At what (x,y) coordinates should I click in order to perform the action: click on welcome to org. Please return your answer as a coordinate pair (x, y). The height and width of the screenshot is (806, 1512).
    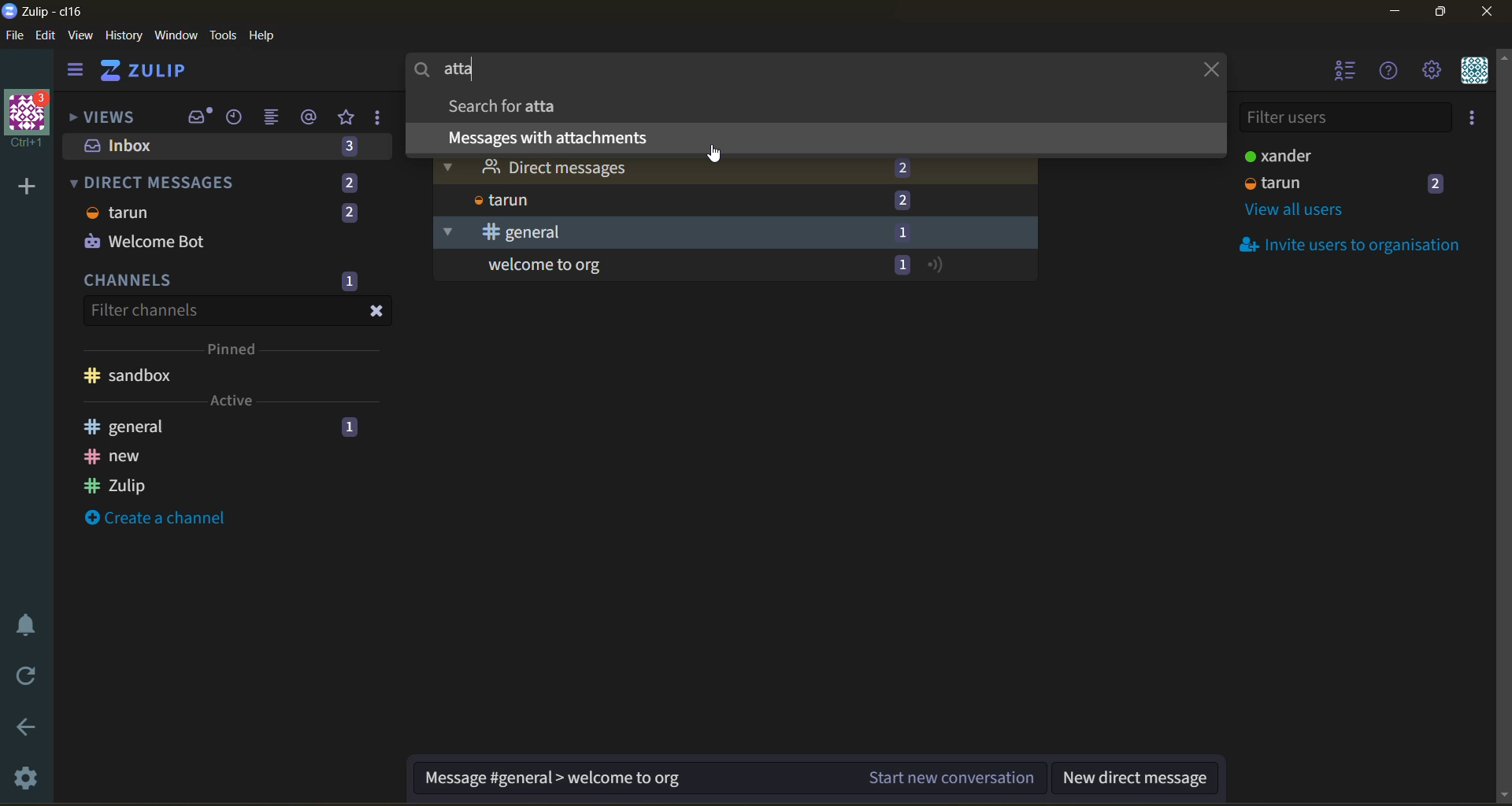
    Looking at the image, I should click on (541, 265).